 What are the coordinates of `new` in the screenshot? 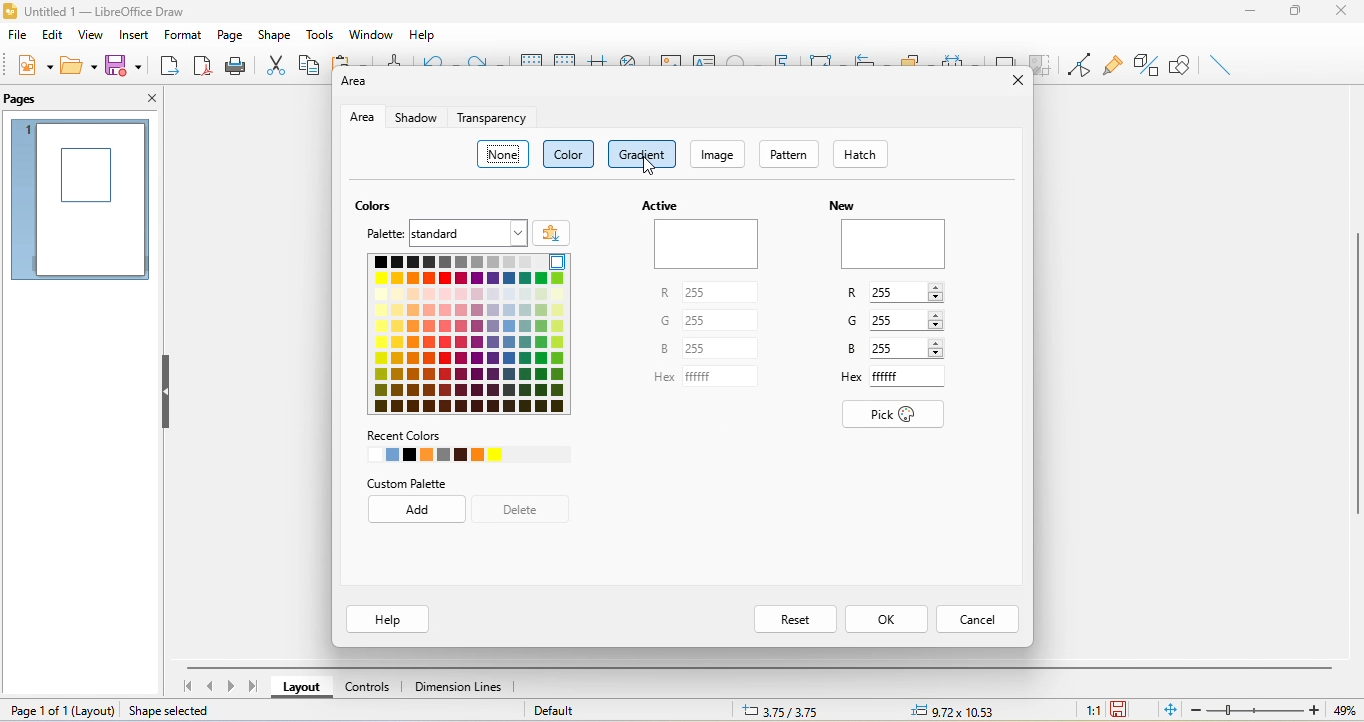 It's located at (890, 239).